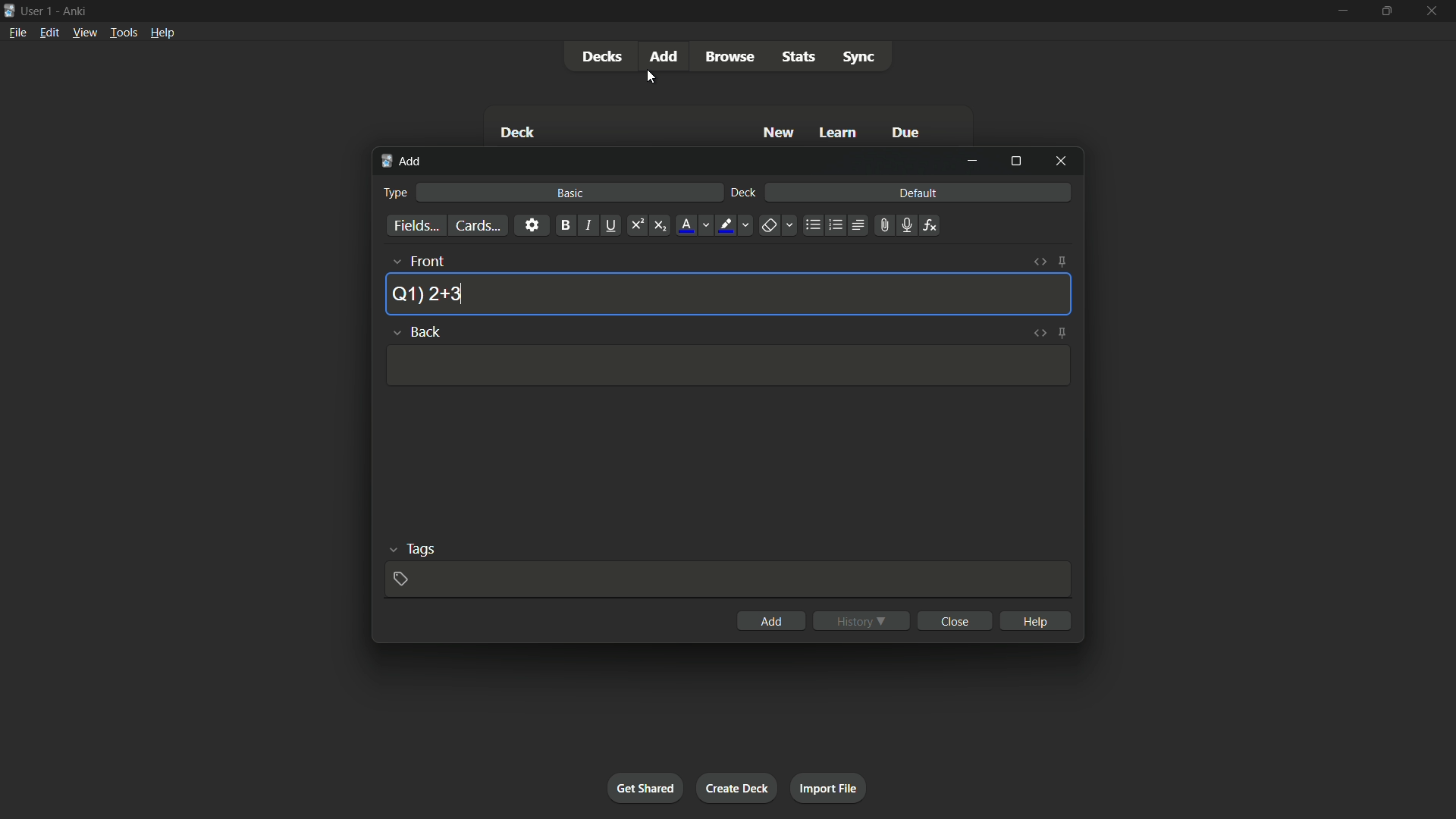  What do you see at coordinates (587, 225) in the screenshot?
I see `italic` at bounding box center [587, 225].